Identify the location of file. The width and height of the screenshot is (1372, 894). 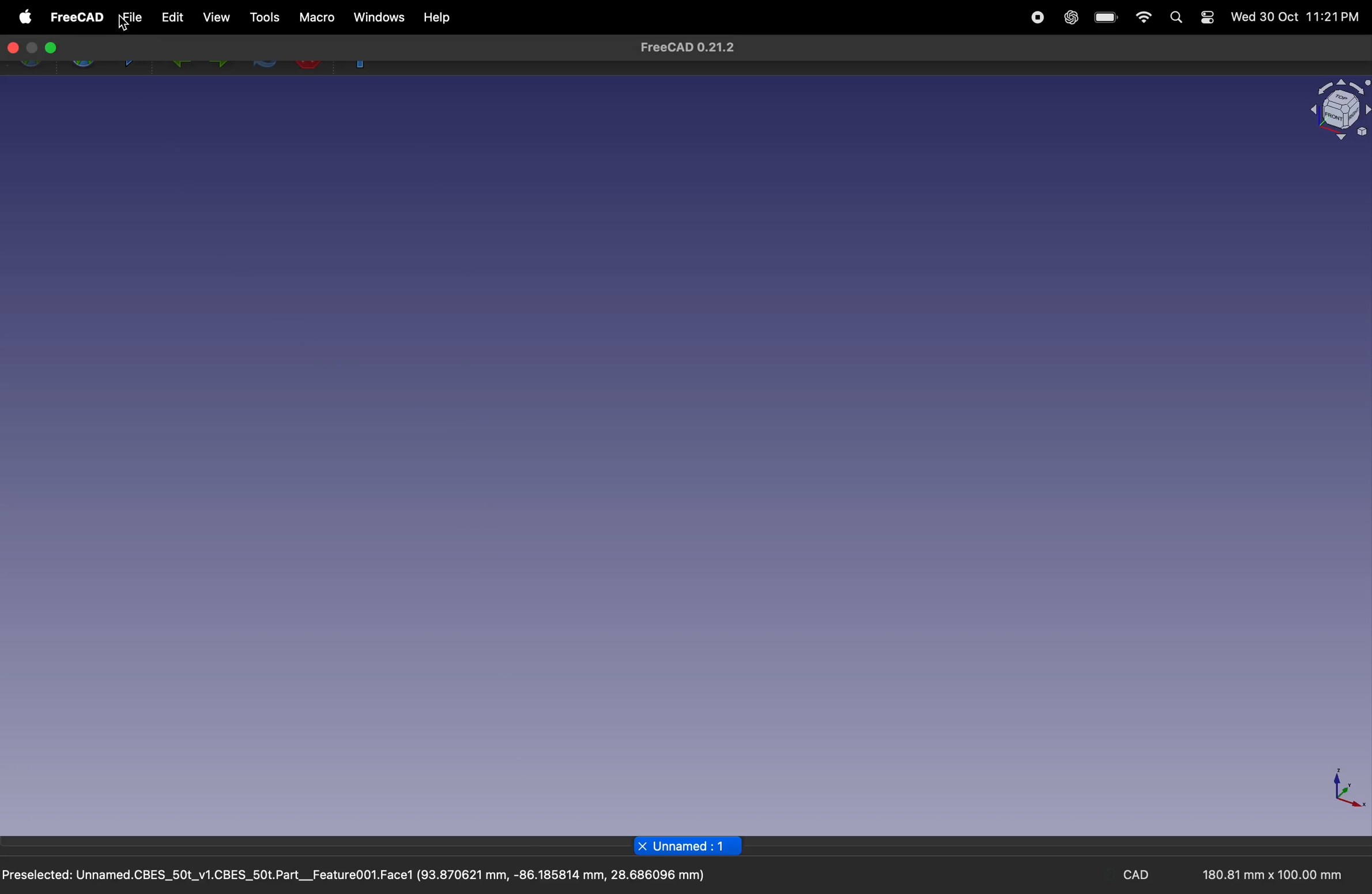
(135, 18).